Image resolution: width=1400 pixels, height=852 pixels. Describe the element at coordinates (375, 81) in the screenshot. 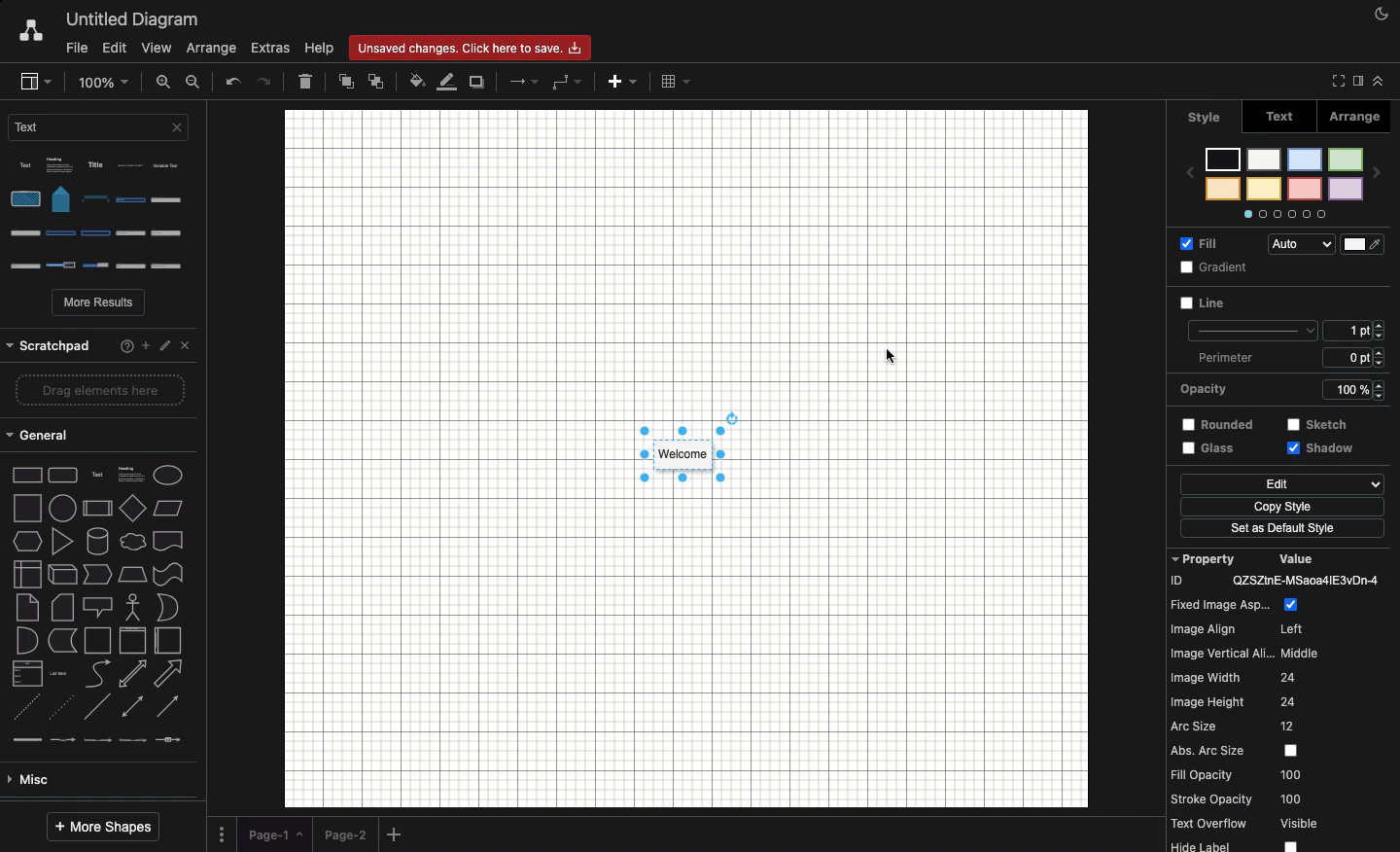

I see `To back` at that location.